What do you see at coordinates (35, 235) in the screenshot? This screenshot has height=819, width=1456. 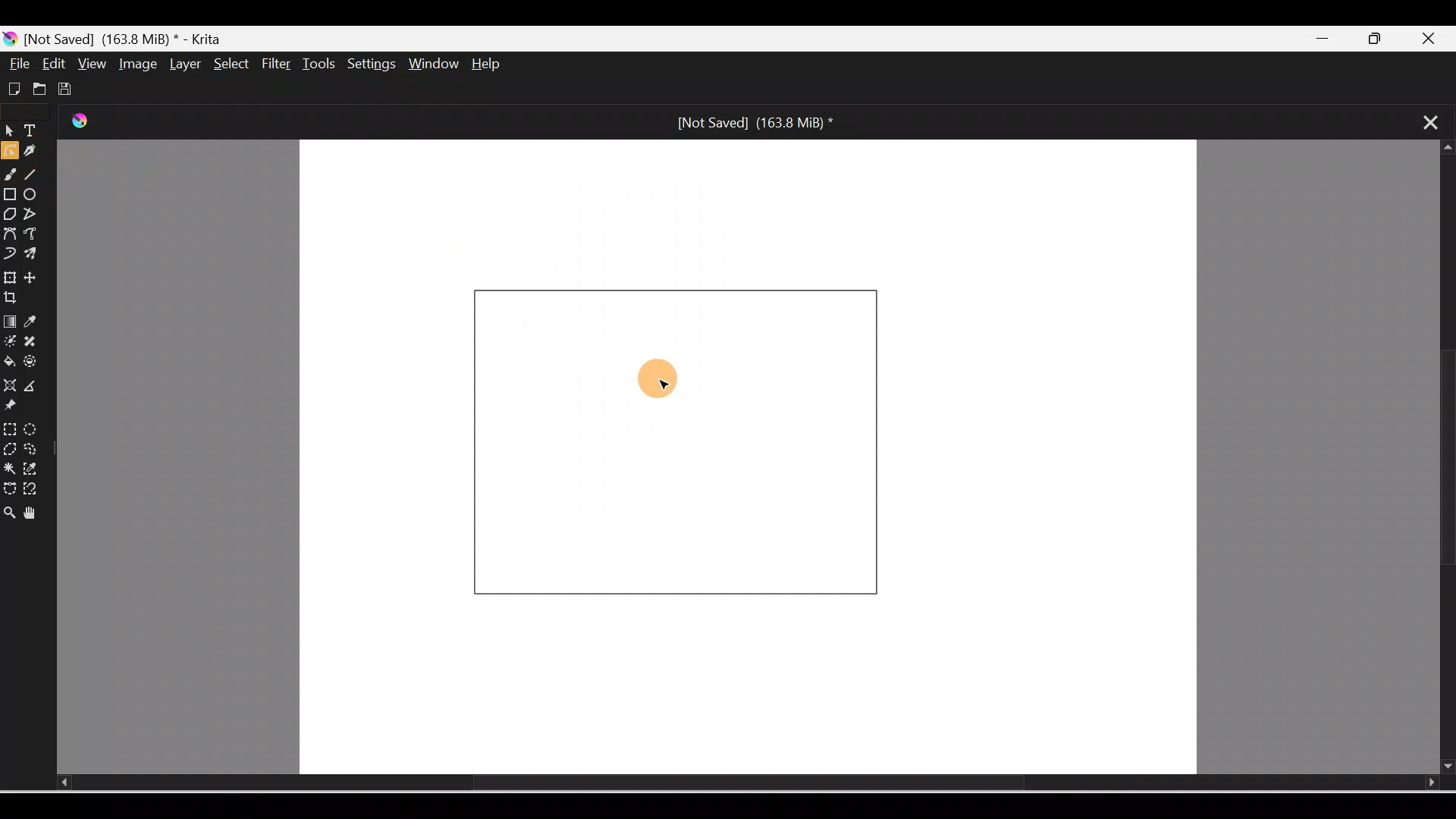 I see `Freehand path tool` at bounding box center [35, 235].